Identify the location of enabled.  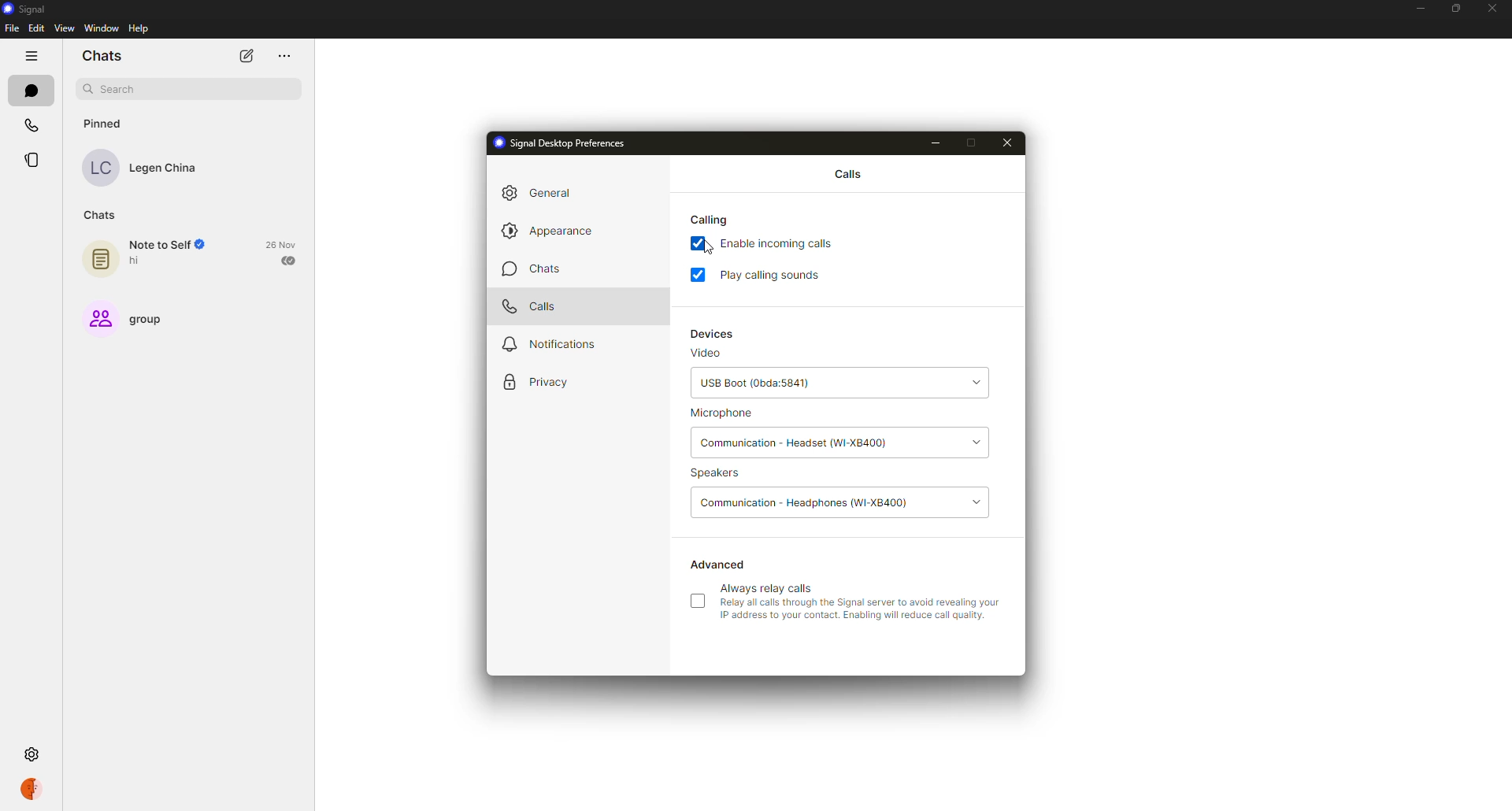
(699, 273).